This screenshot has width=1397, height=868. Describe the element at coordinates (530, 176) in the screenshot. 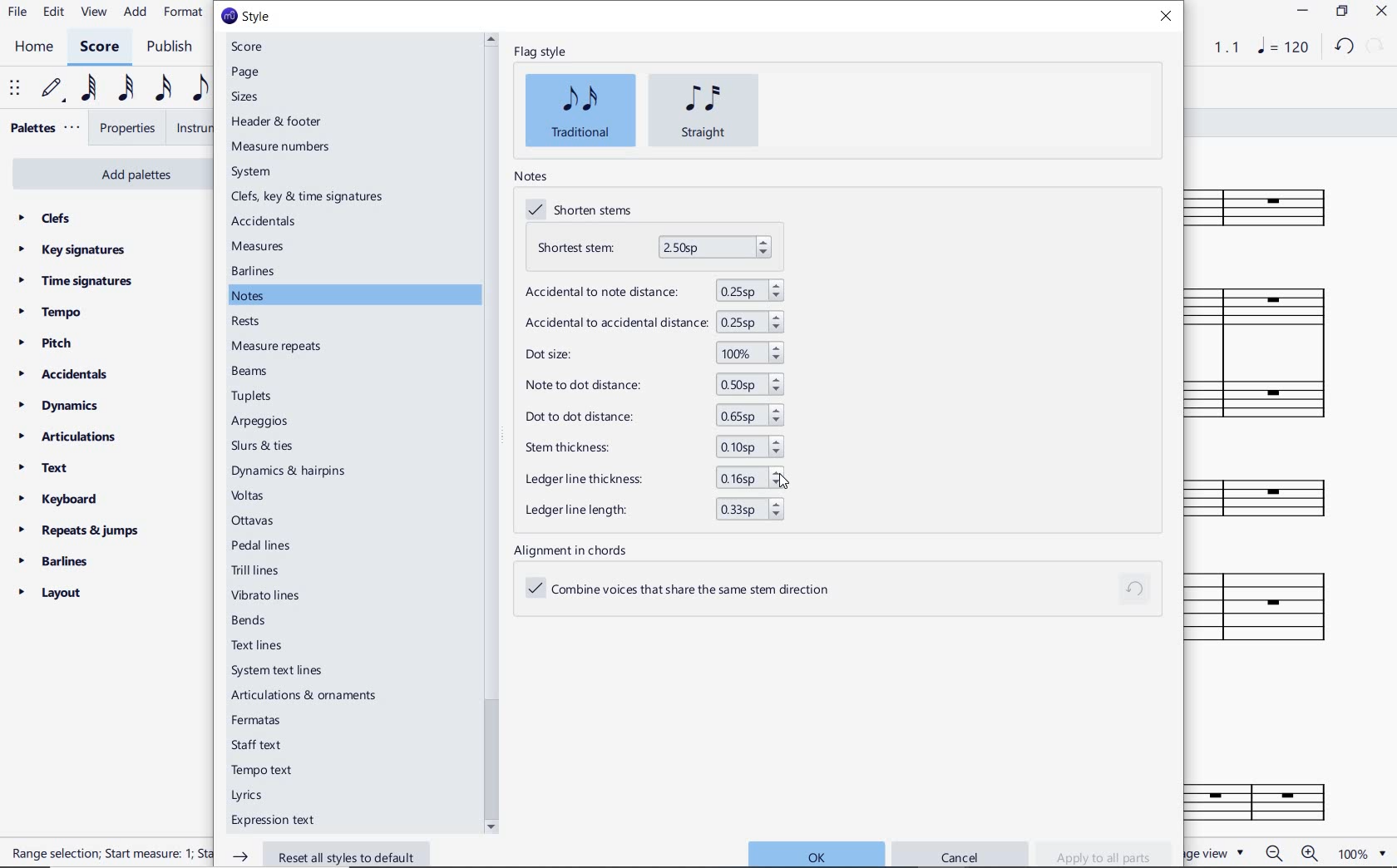

I see `notes` at that location.